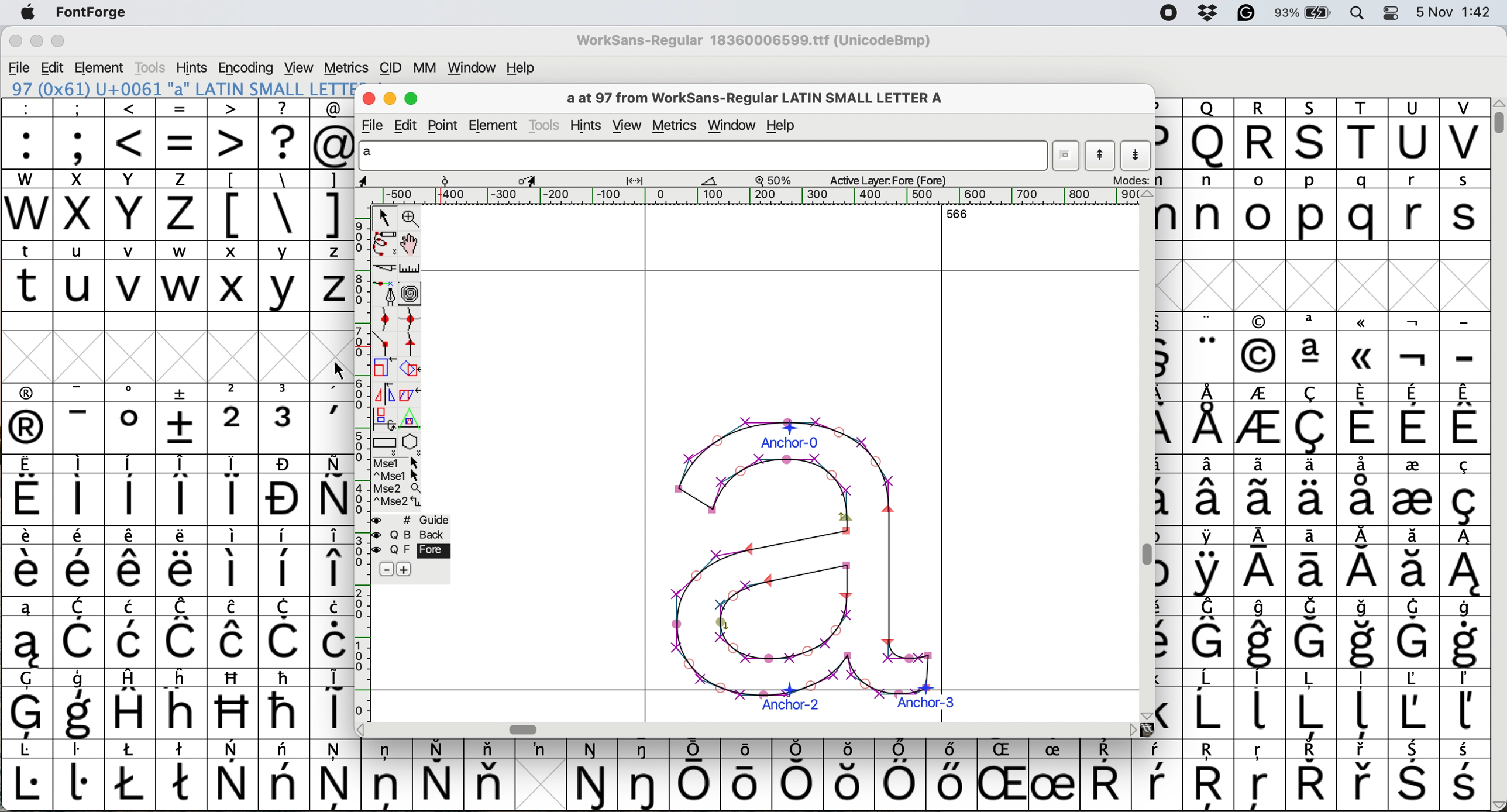 The image size is (1507, 812). Describe the element at coordinates (522, 67) in the screenshot. I see `help` at that location.